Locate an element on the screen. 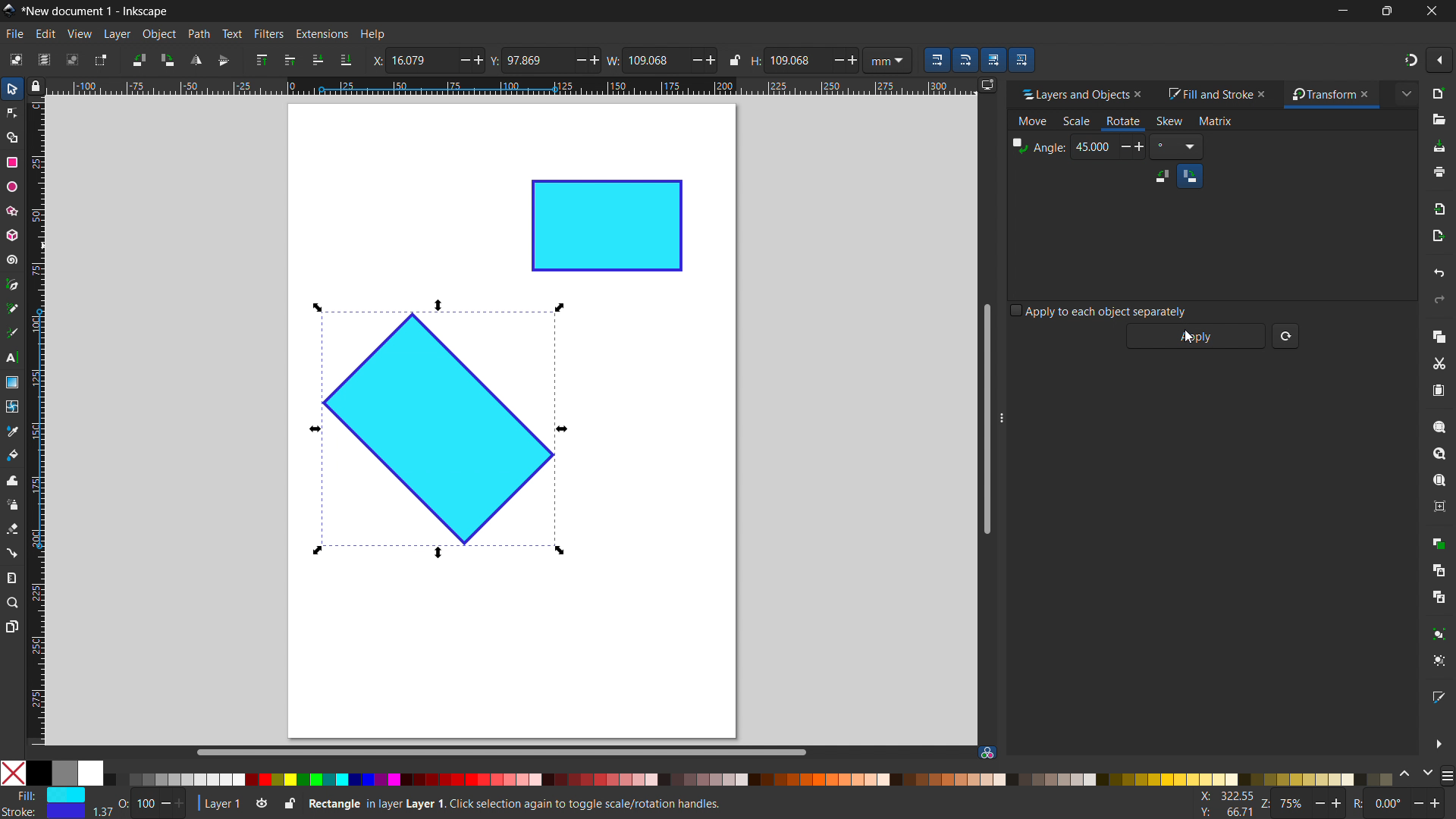  deselect is located at coordinates (73, 59).